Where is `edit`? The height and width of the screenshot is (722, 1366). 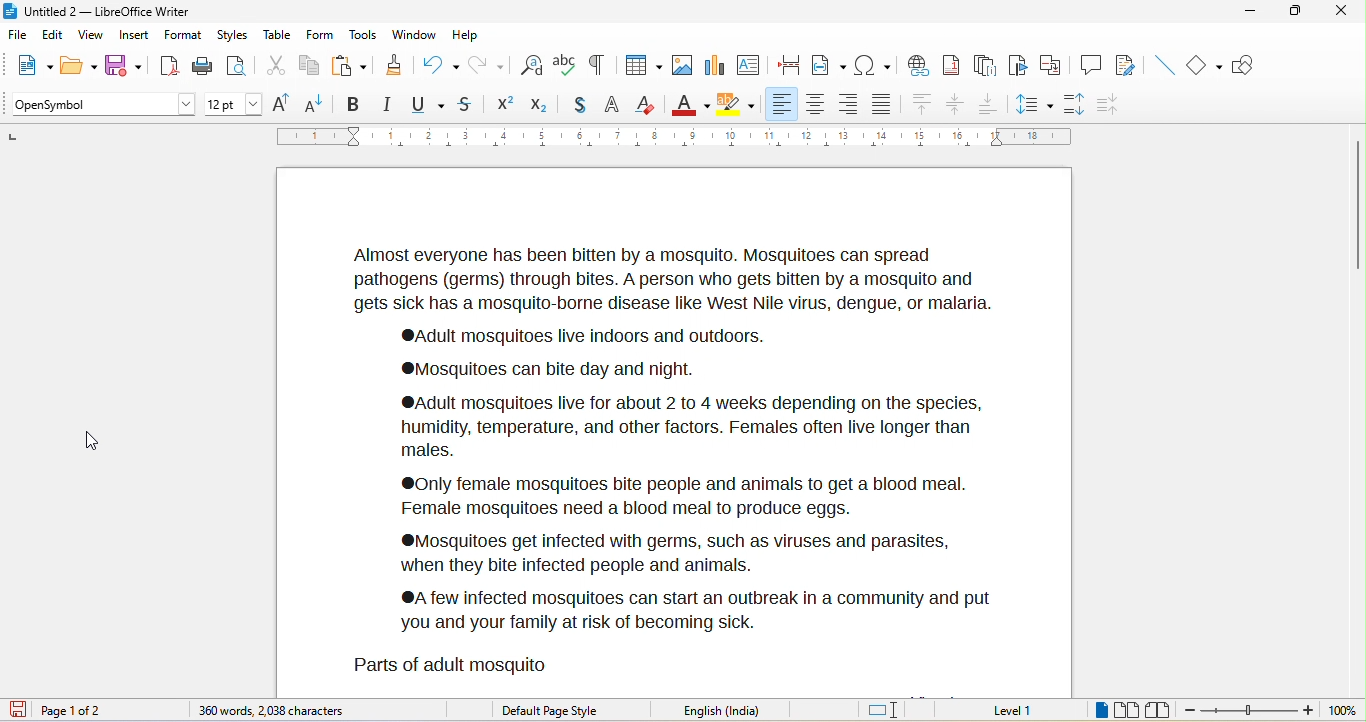 edit is located at coordinates (52, 35).